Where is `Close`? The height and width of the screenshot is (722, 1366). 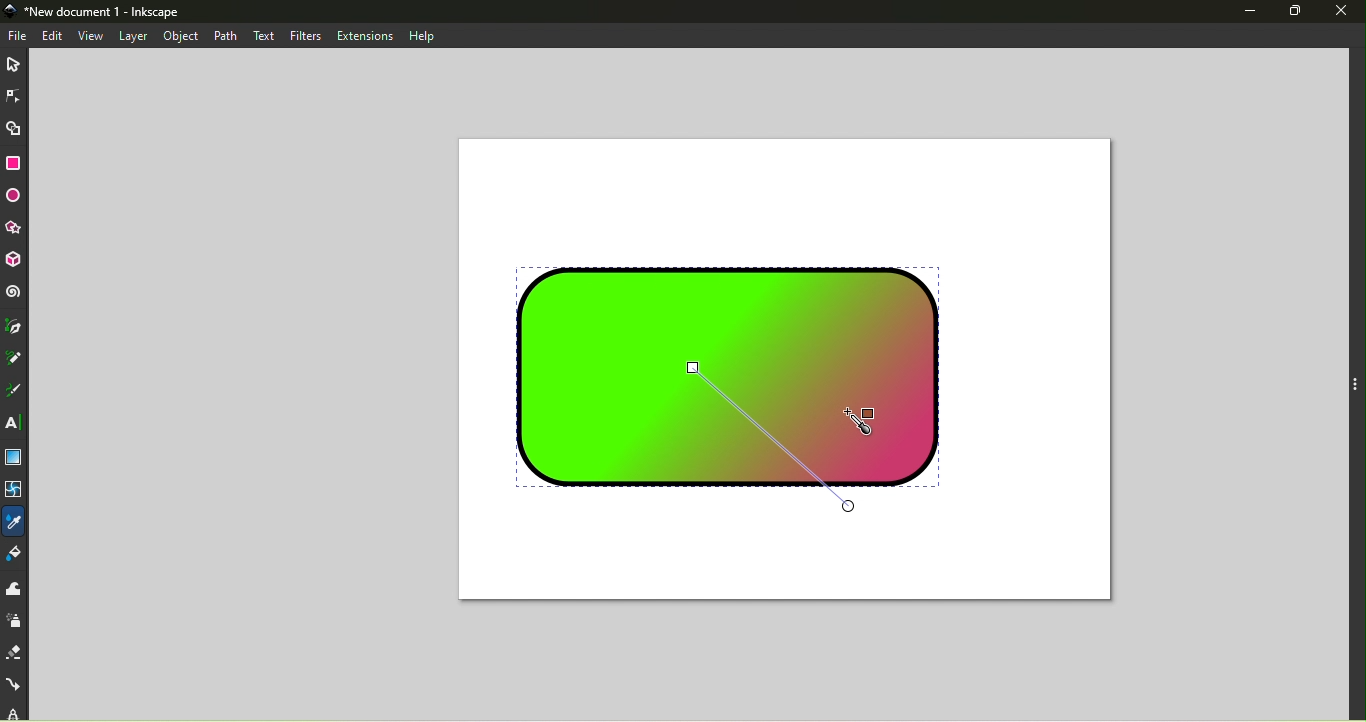 Close is located at coordinates (1344, 10).